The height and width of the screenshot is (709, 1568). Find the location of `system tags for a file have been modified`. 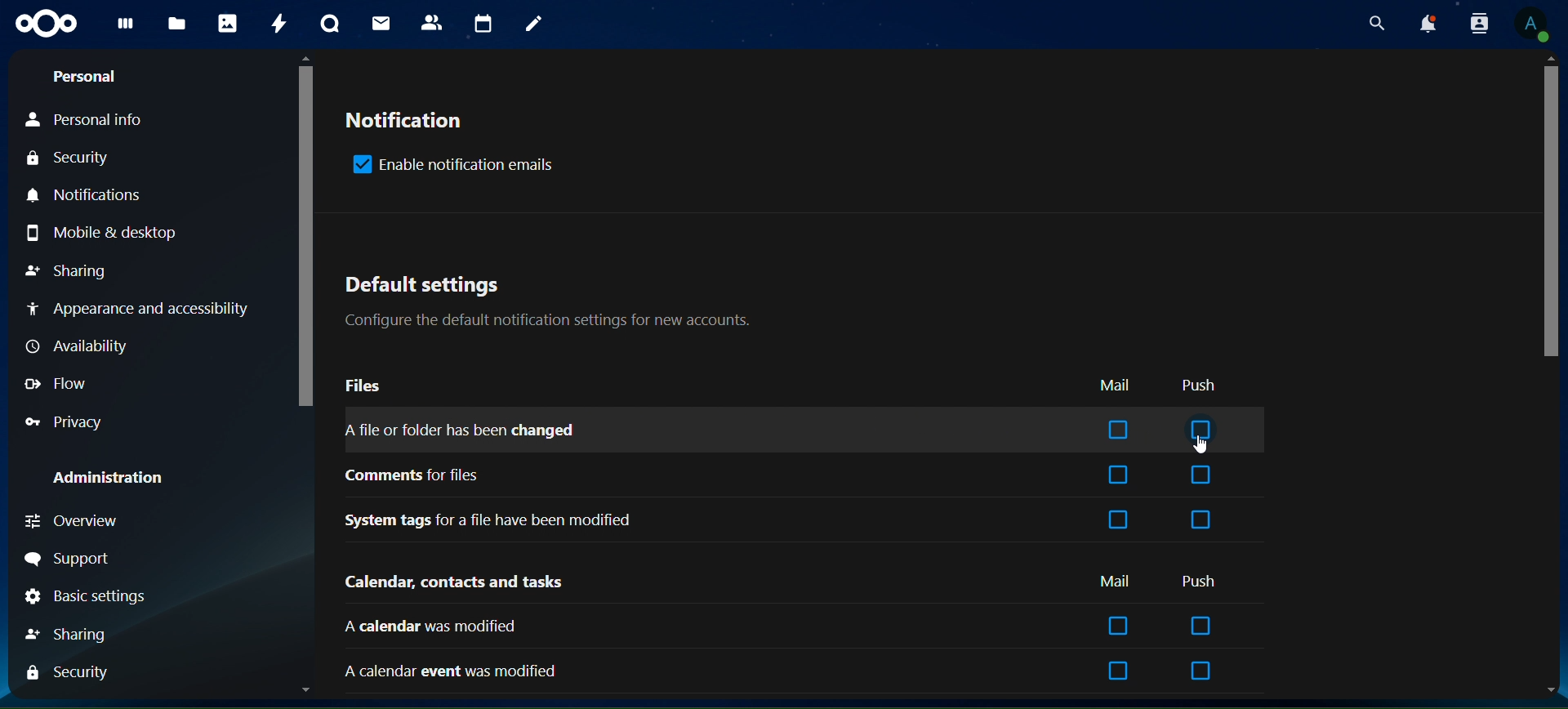

system tags for a file have been modified is located at coordinates (494, 519).